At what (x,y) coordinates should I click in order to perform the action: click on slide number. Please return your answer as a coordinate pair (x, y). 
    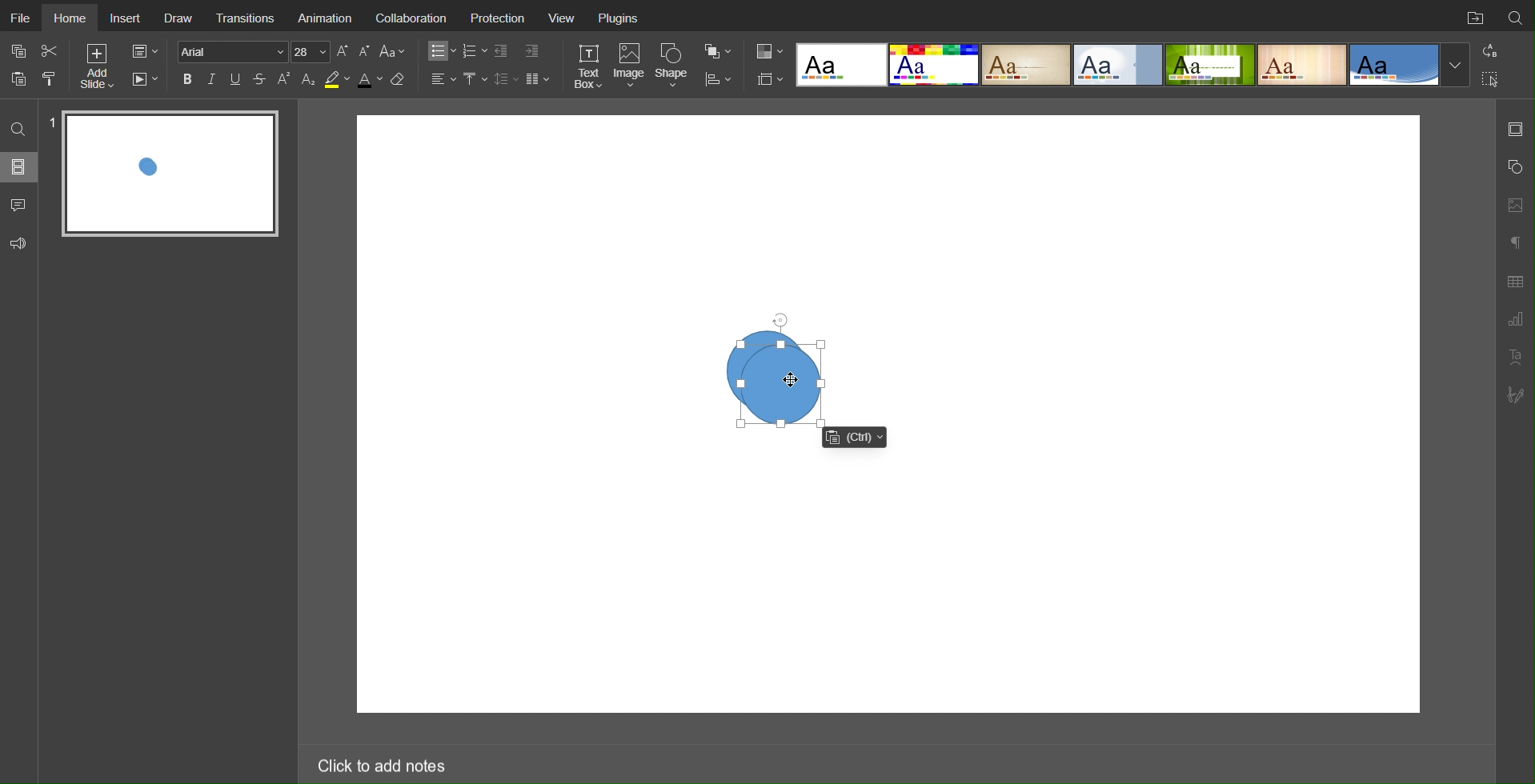
    Looking at the image, I should click on (53, 119).